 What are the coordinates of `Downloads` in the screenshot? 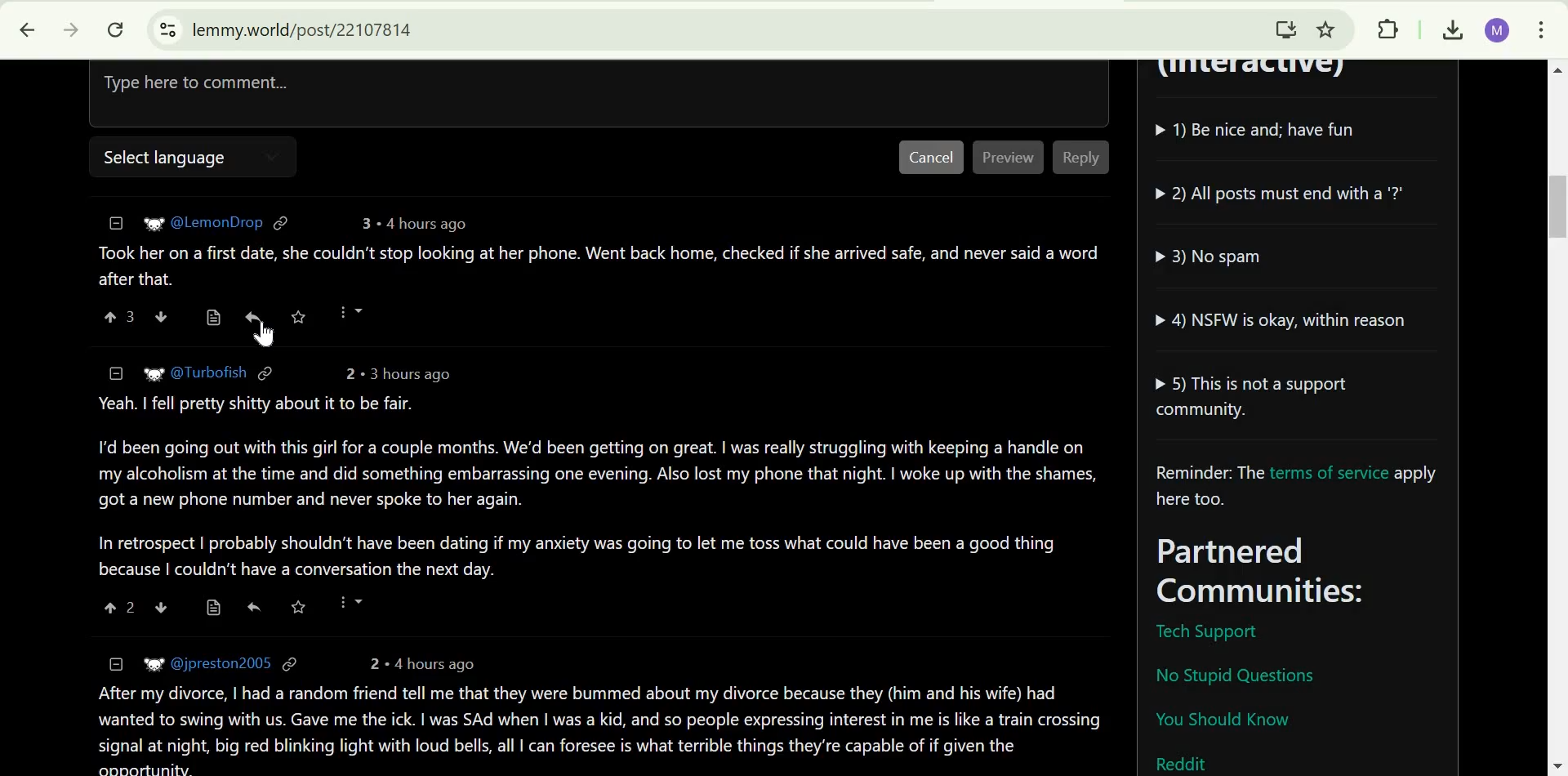 It's located at (1452, 31).